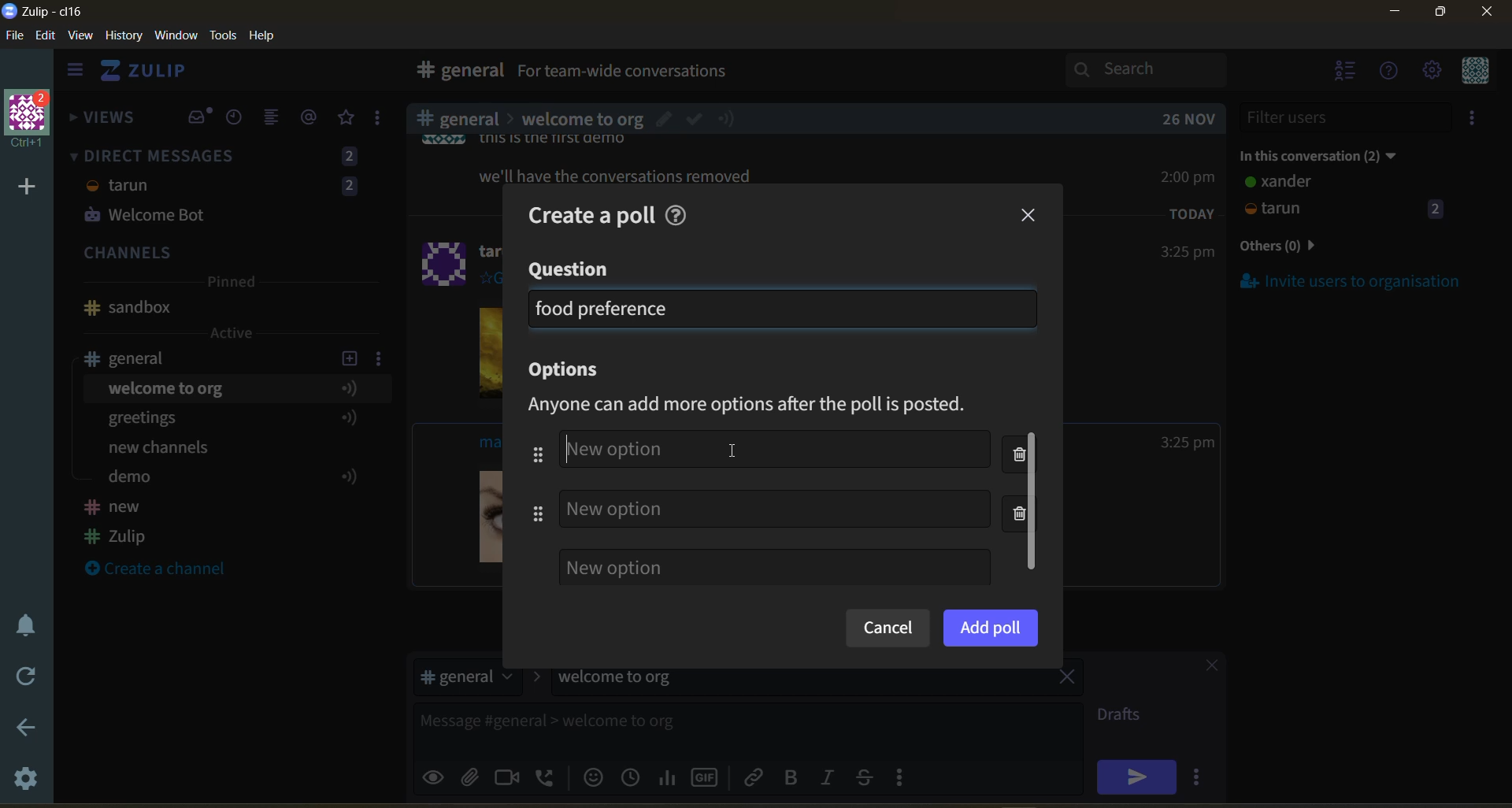 This screenshot has width=1512, height=808. What do you see at coordinates (230, 284) in the screenshot?
I see `pinned` at bounding box center [230, 284].